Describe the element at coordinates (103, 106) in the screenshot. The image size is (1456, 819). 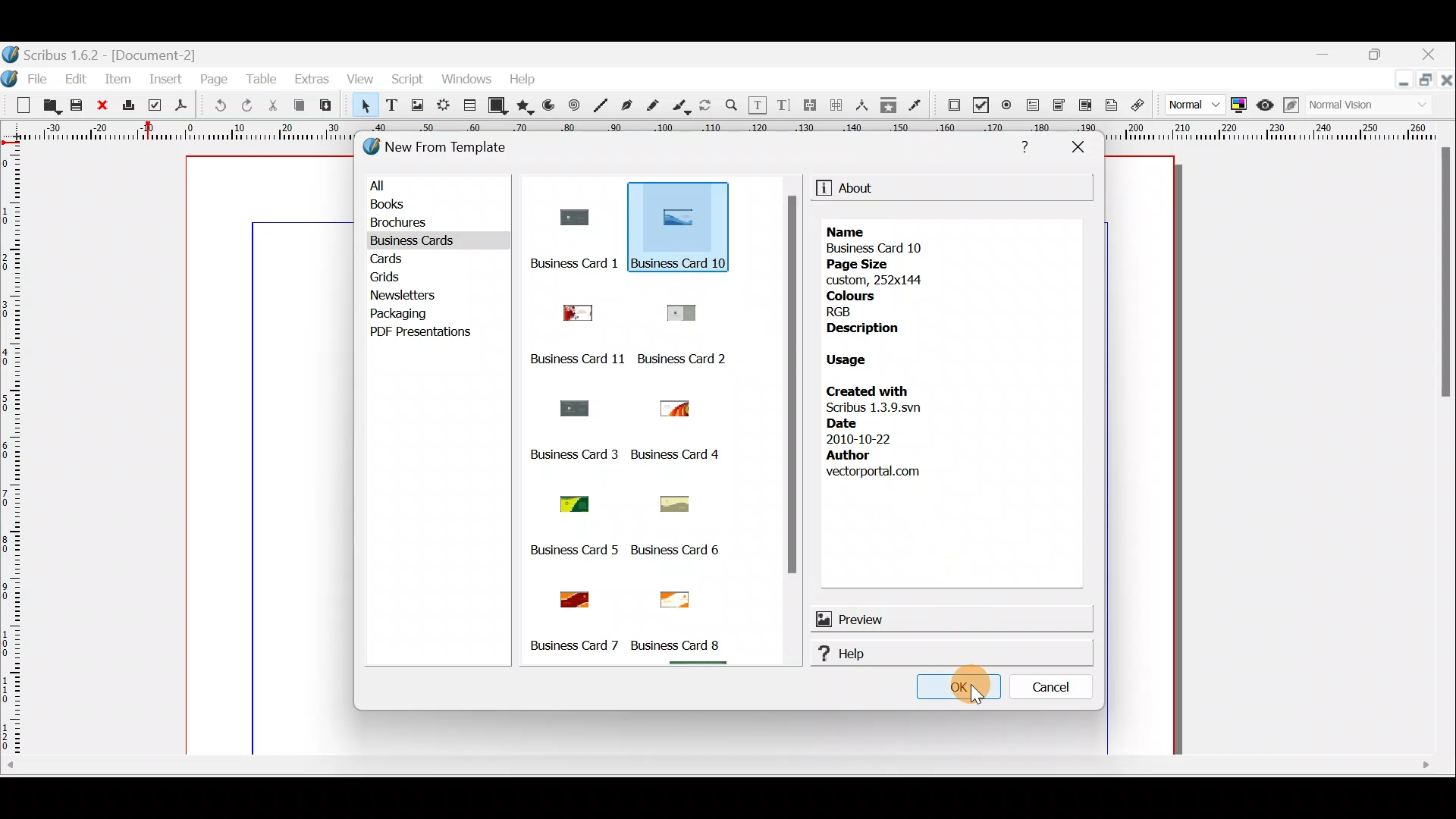
I see `Close` at that location.